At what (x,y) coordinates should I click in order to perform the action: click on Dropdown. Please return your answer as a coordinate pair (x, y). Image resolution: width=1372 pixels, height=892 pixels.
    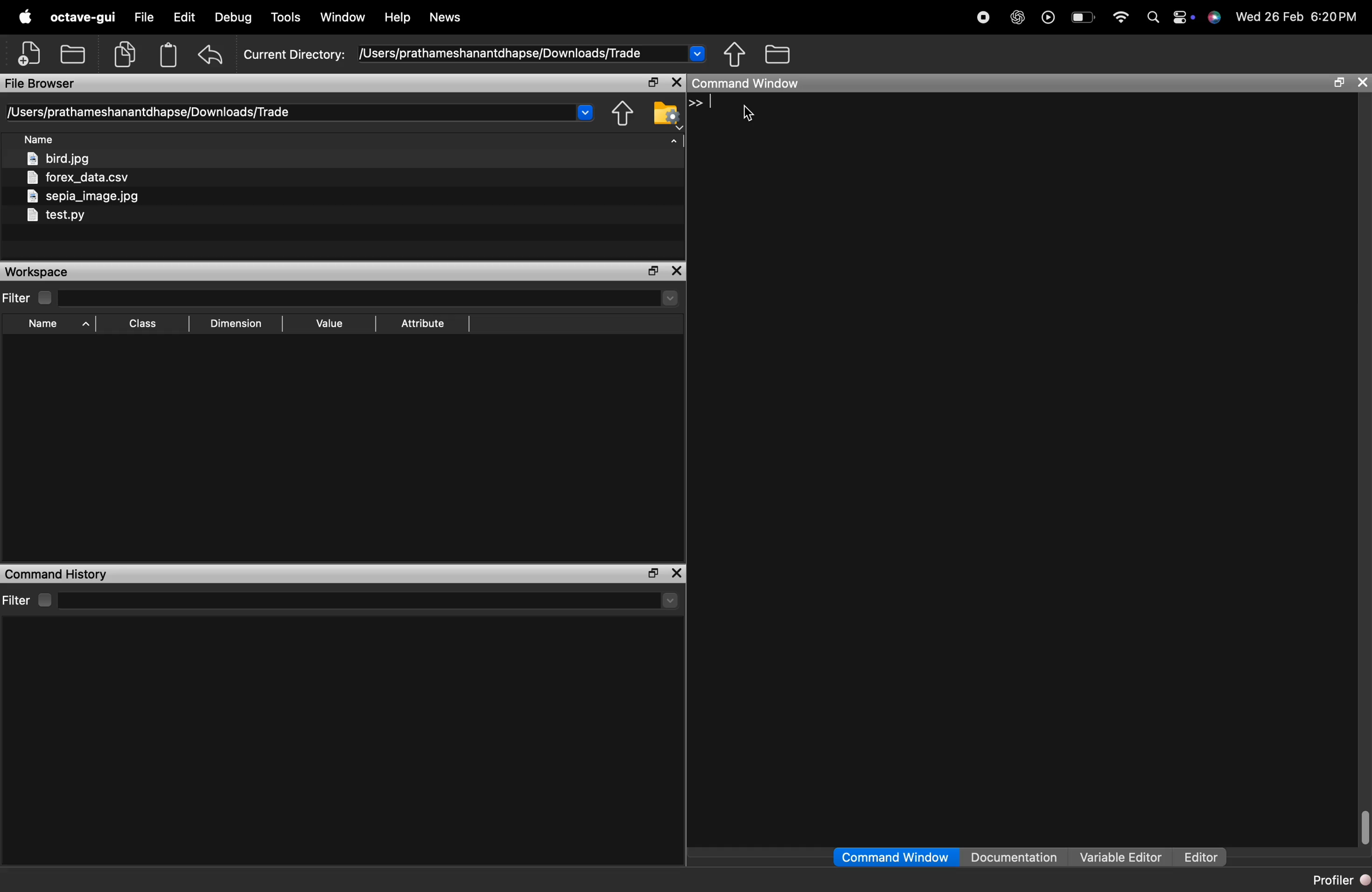
    Looking at the image, I should click on (670, 602).